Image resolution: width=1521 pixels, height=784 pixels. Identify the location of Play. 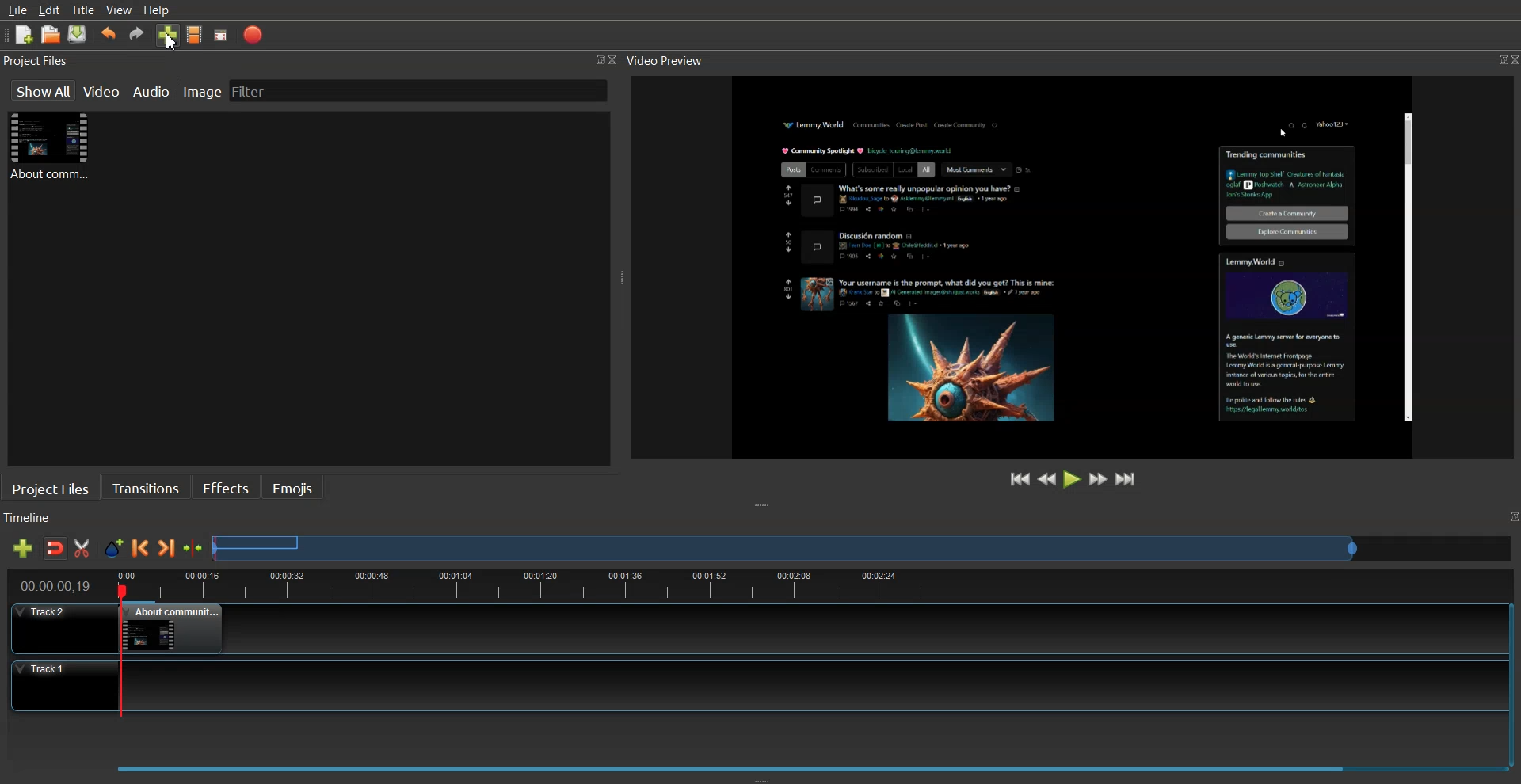
(1073, 478).